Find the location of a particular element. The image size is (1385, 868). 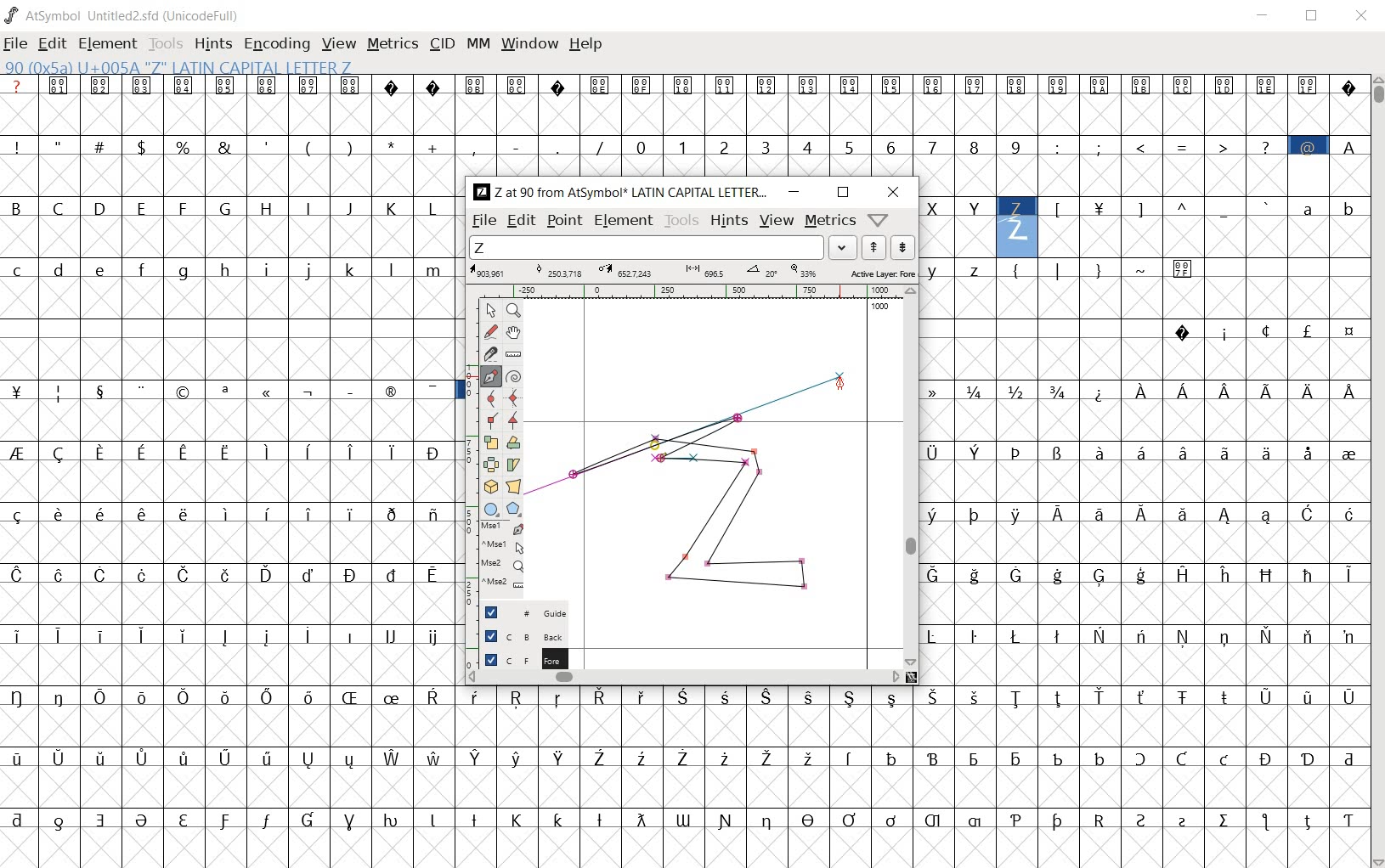

scale the selection is located at coordinates (489, 443).